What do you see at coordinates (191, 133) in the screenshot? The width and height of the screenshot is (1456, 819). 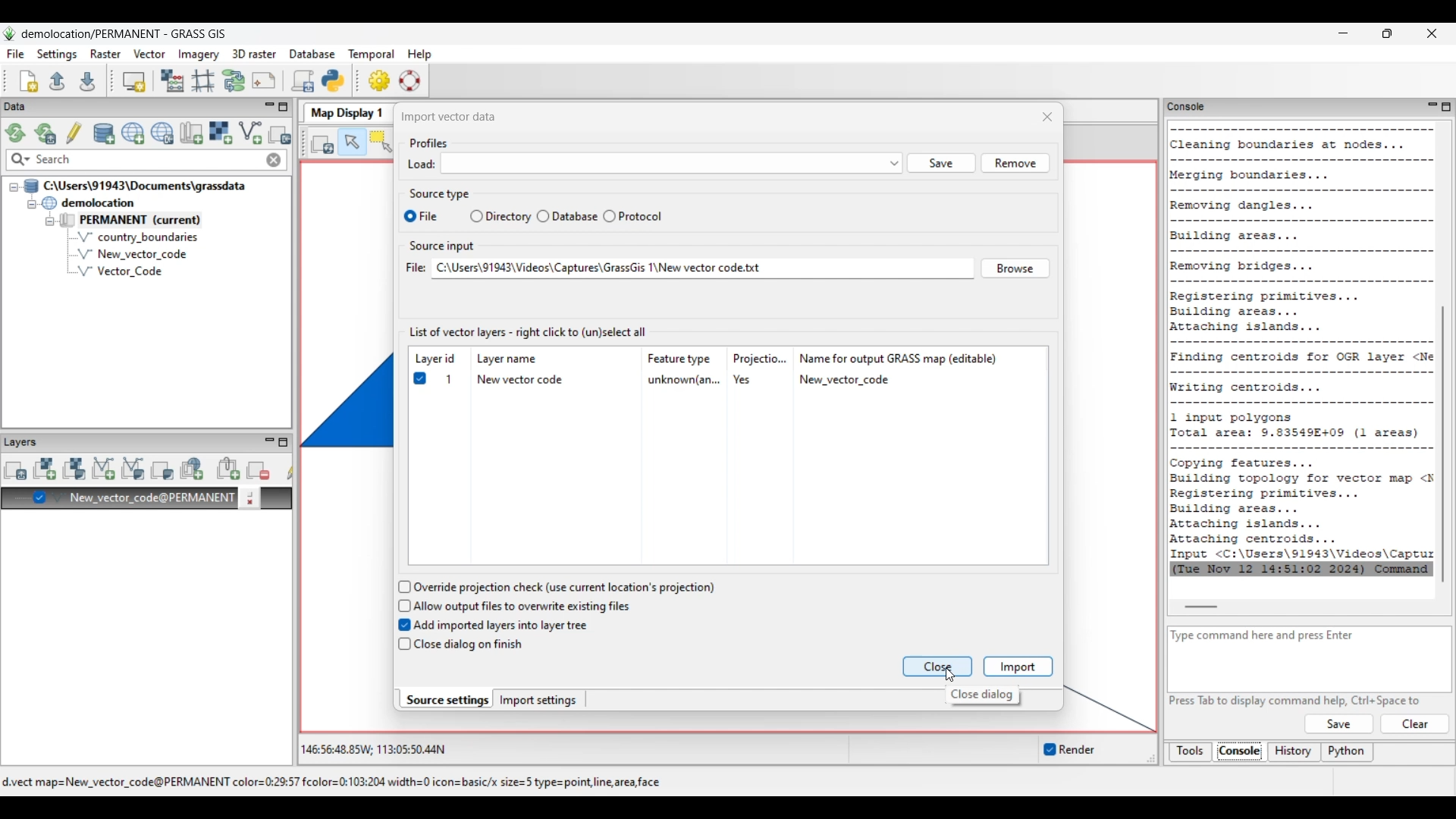 I see `Create new map set in current project` at bounding box center [191, 133].